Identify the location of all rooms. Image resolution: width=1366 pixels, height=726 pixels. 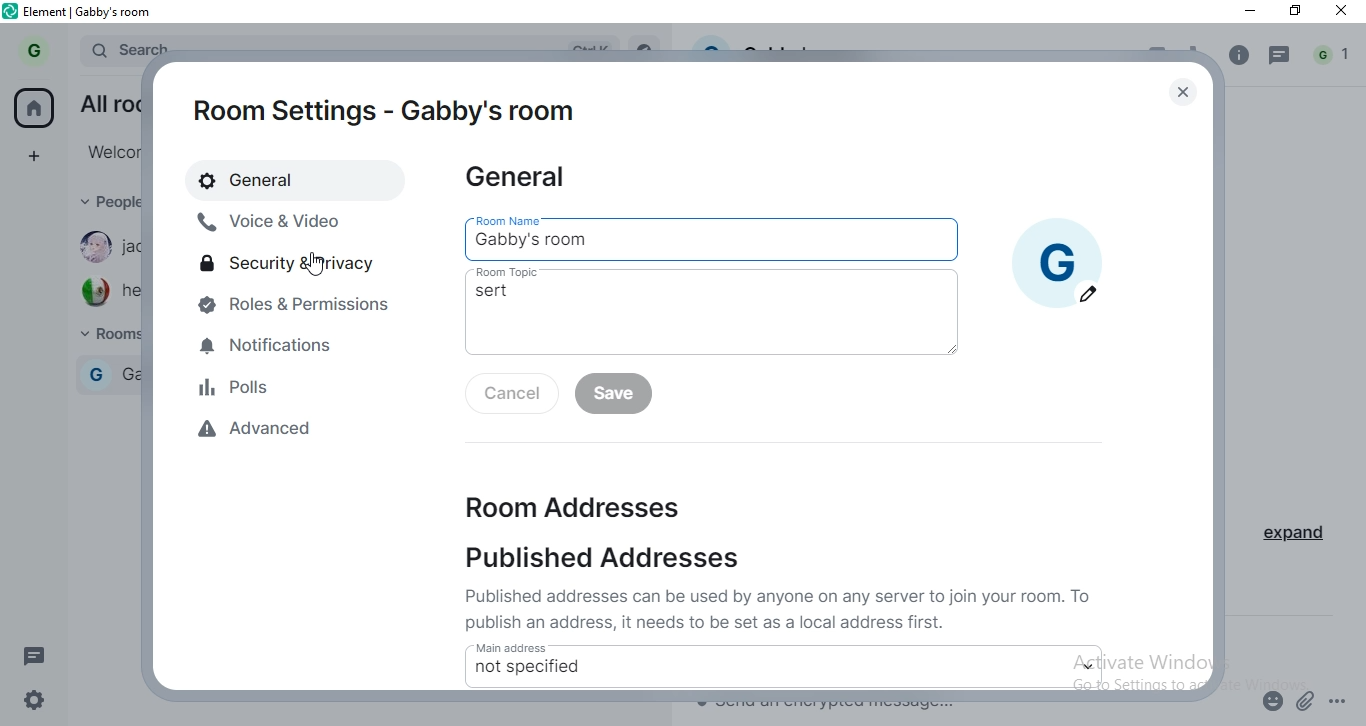
(108, 101).